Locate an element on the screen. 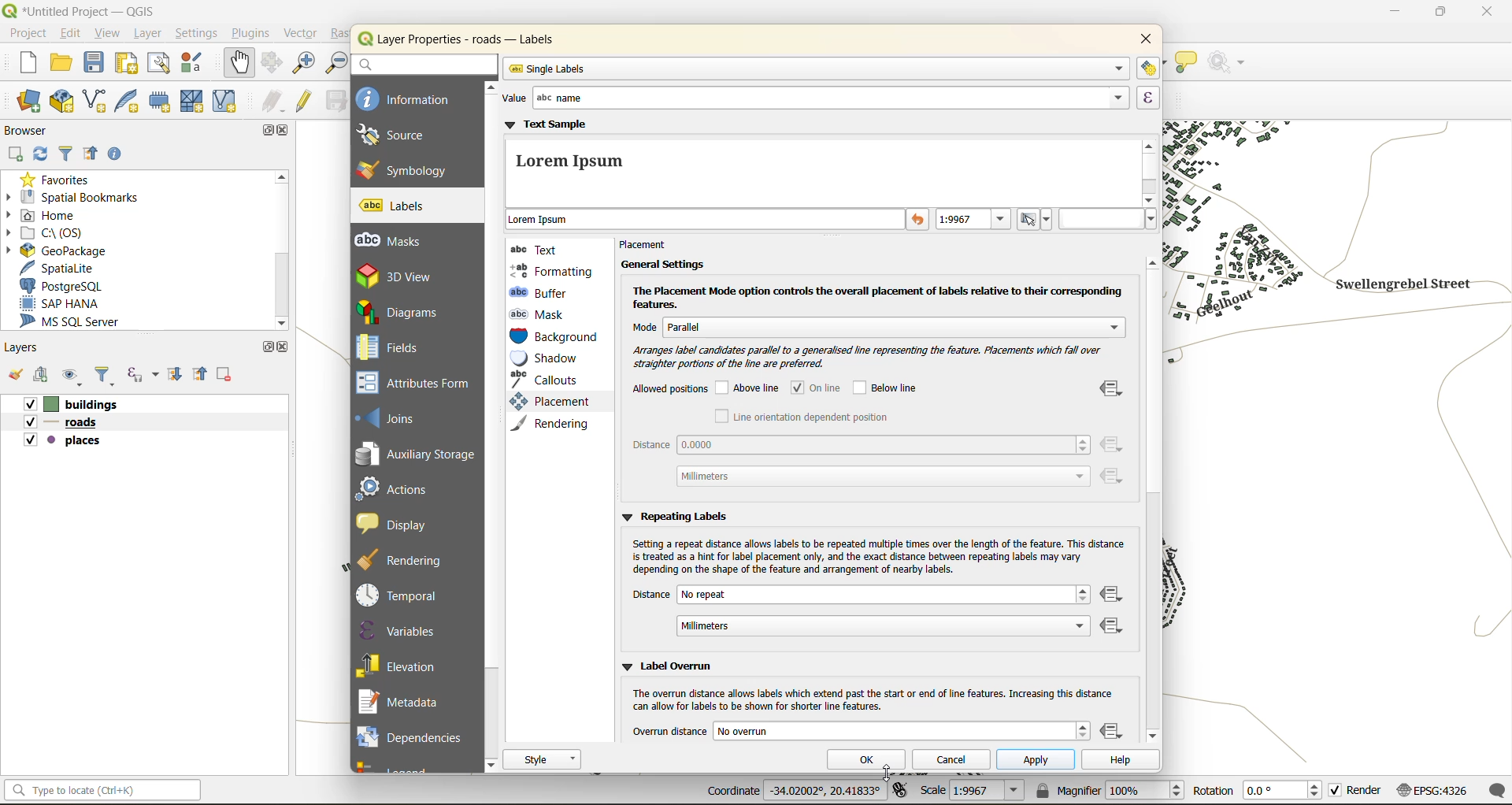 The width and height of the screenshot is (1512, 805). buffer is located at coordinates (543, 292).